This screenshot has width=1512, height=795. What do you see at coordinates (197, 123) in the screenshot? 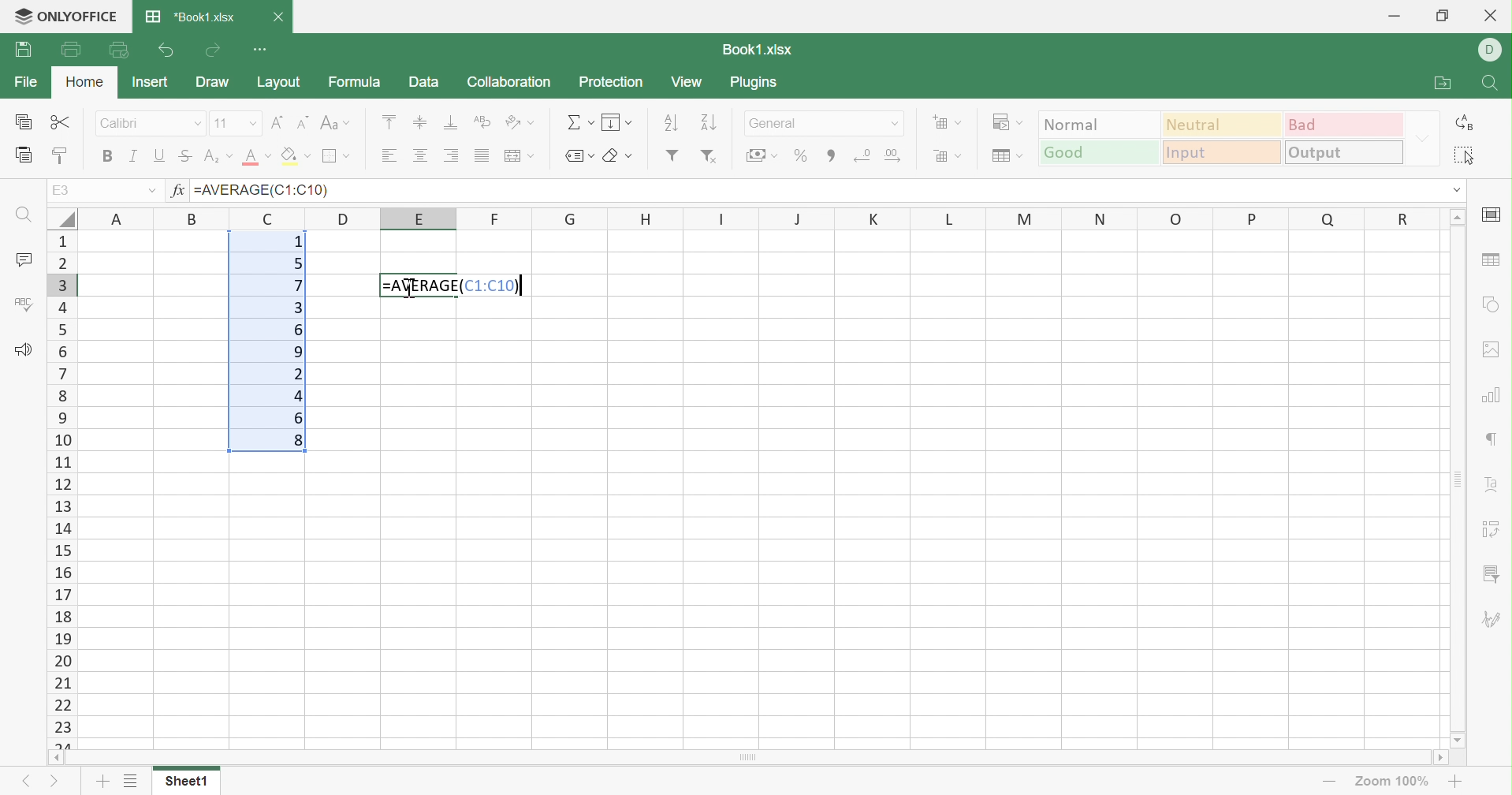
I see `Drop Down` at bounding box center [197, 123].